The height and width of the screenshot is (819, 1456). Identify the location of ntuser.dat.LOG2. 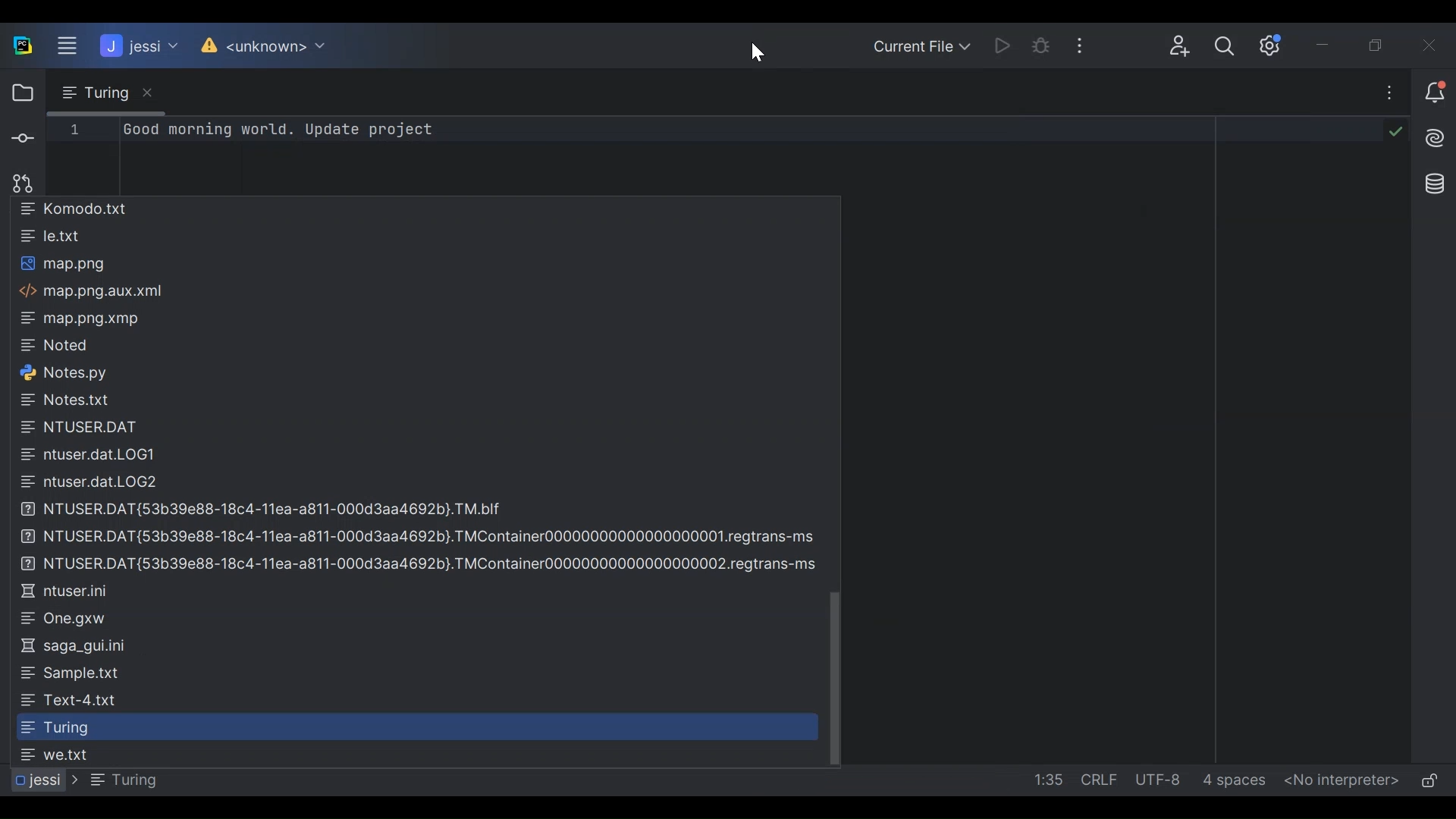
(93, 482).